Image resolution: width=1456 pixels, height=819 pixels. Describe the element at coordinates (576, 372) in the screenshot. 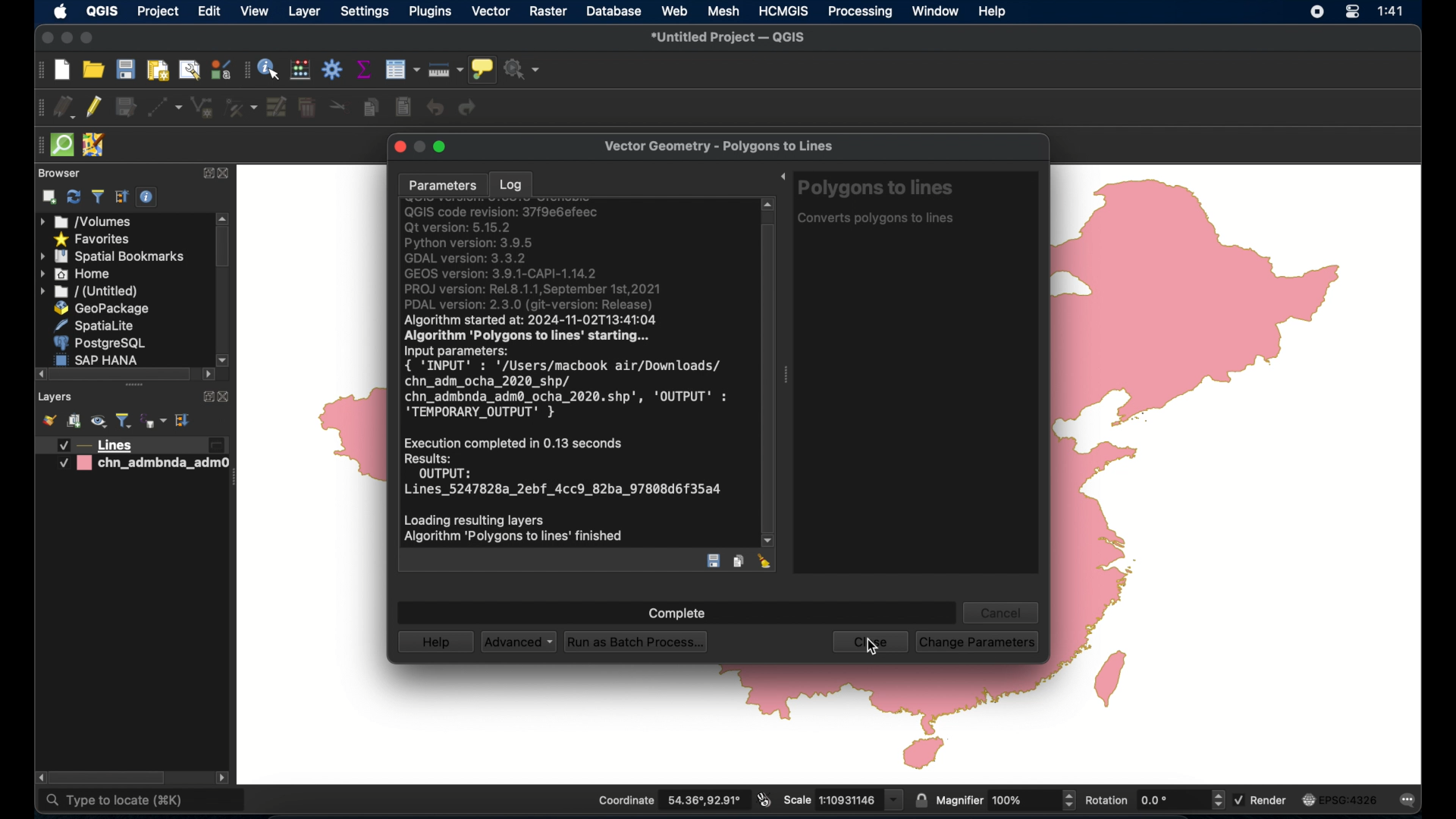

I see `log` at that location.